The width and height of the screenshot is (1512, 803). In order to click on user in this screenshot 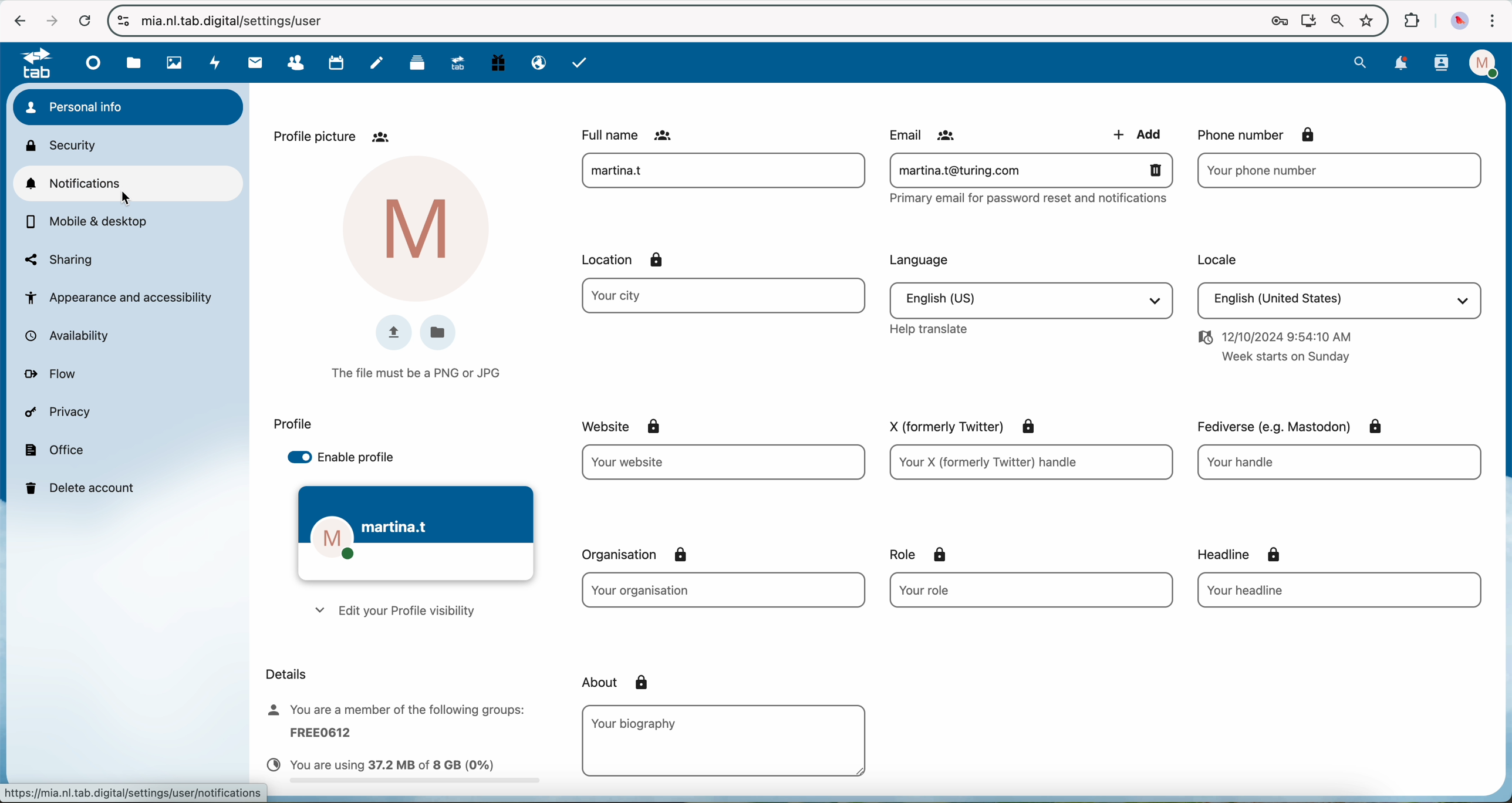, I will do `click(722, 170)`.